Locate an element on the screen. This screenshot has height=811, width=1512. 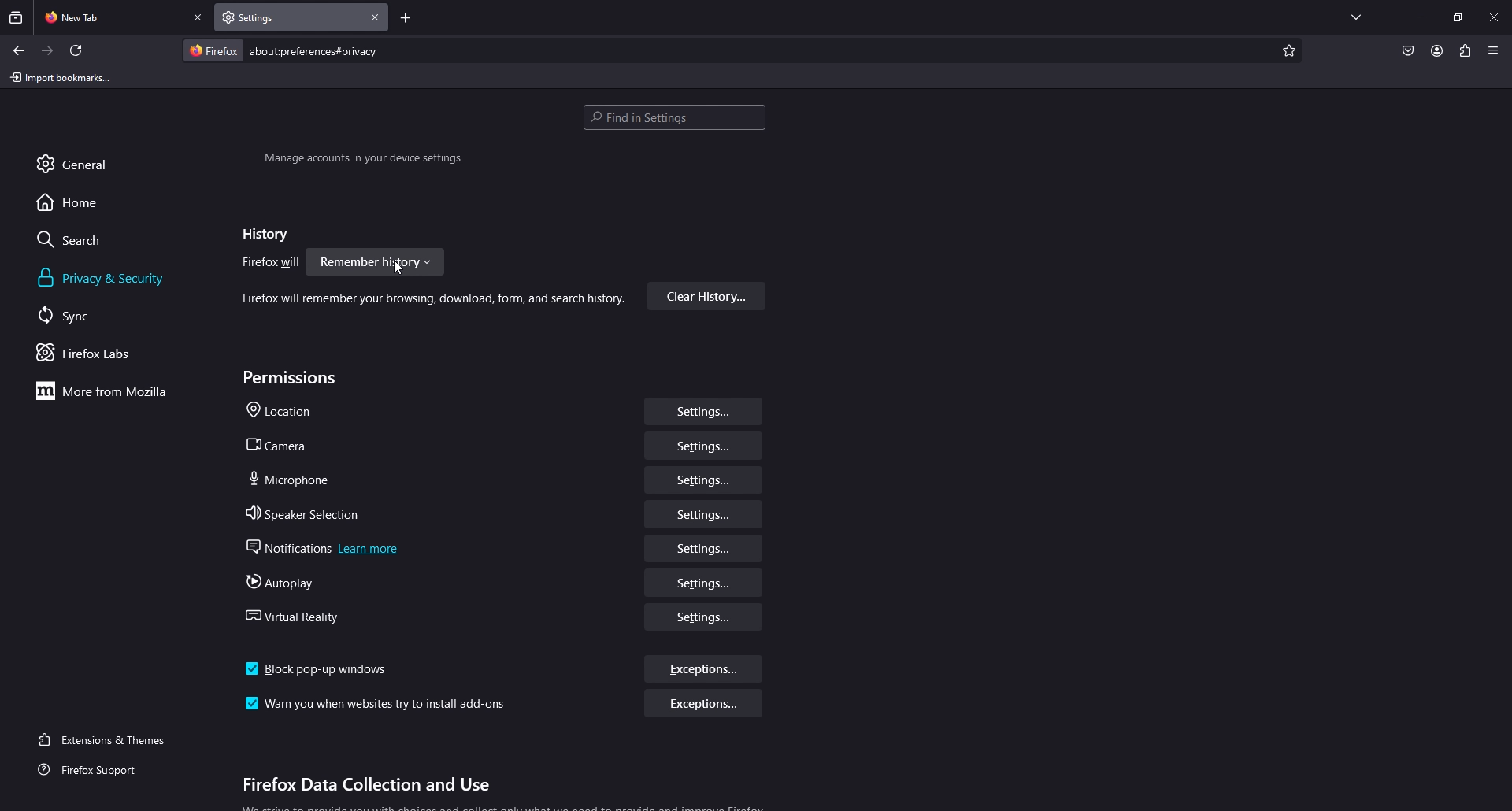
import bookmarks is located at coordinates (64, 76).